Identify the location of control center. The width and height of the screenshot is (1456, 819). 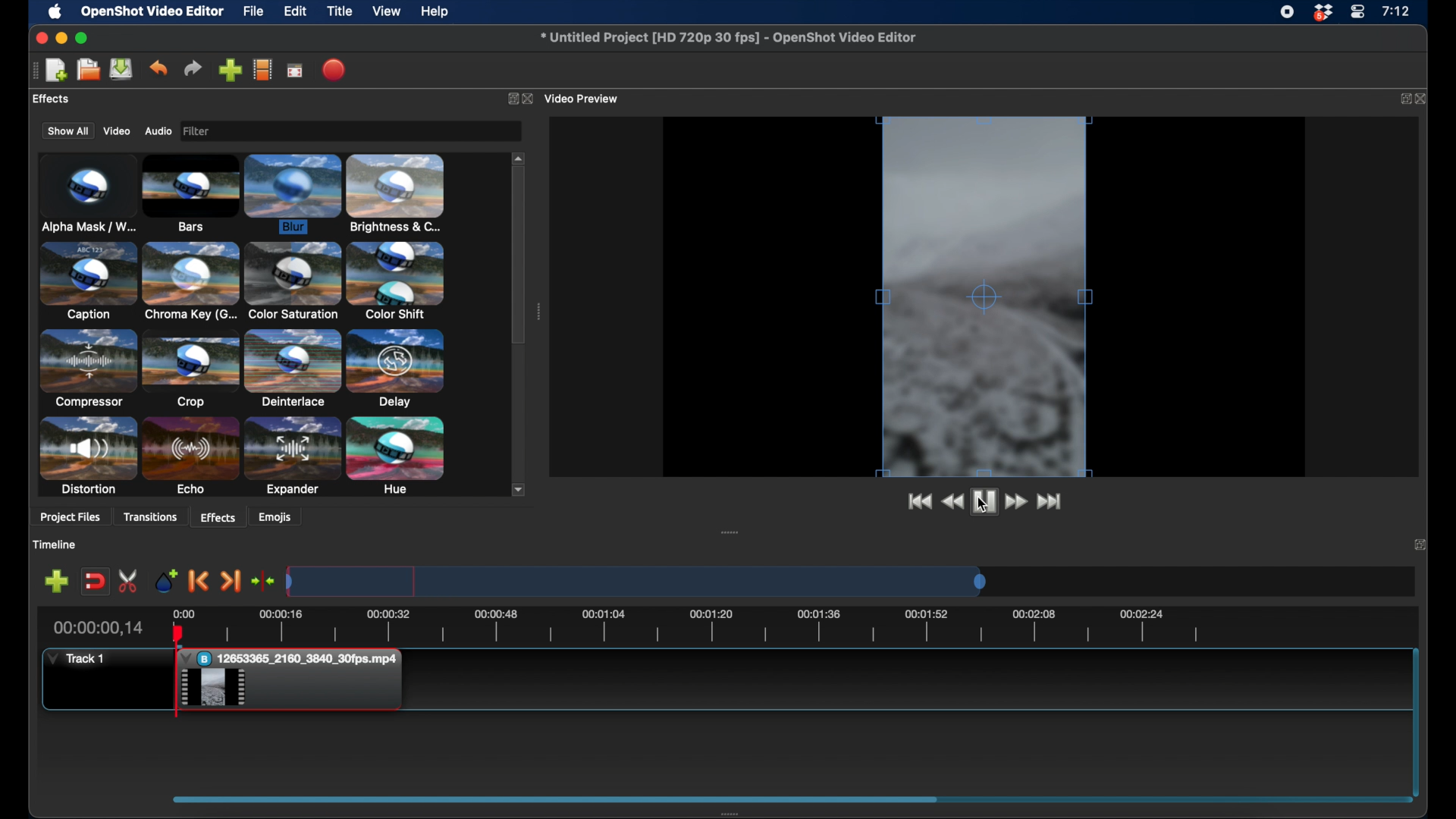
(1357, 12).